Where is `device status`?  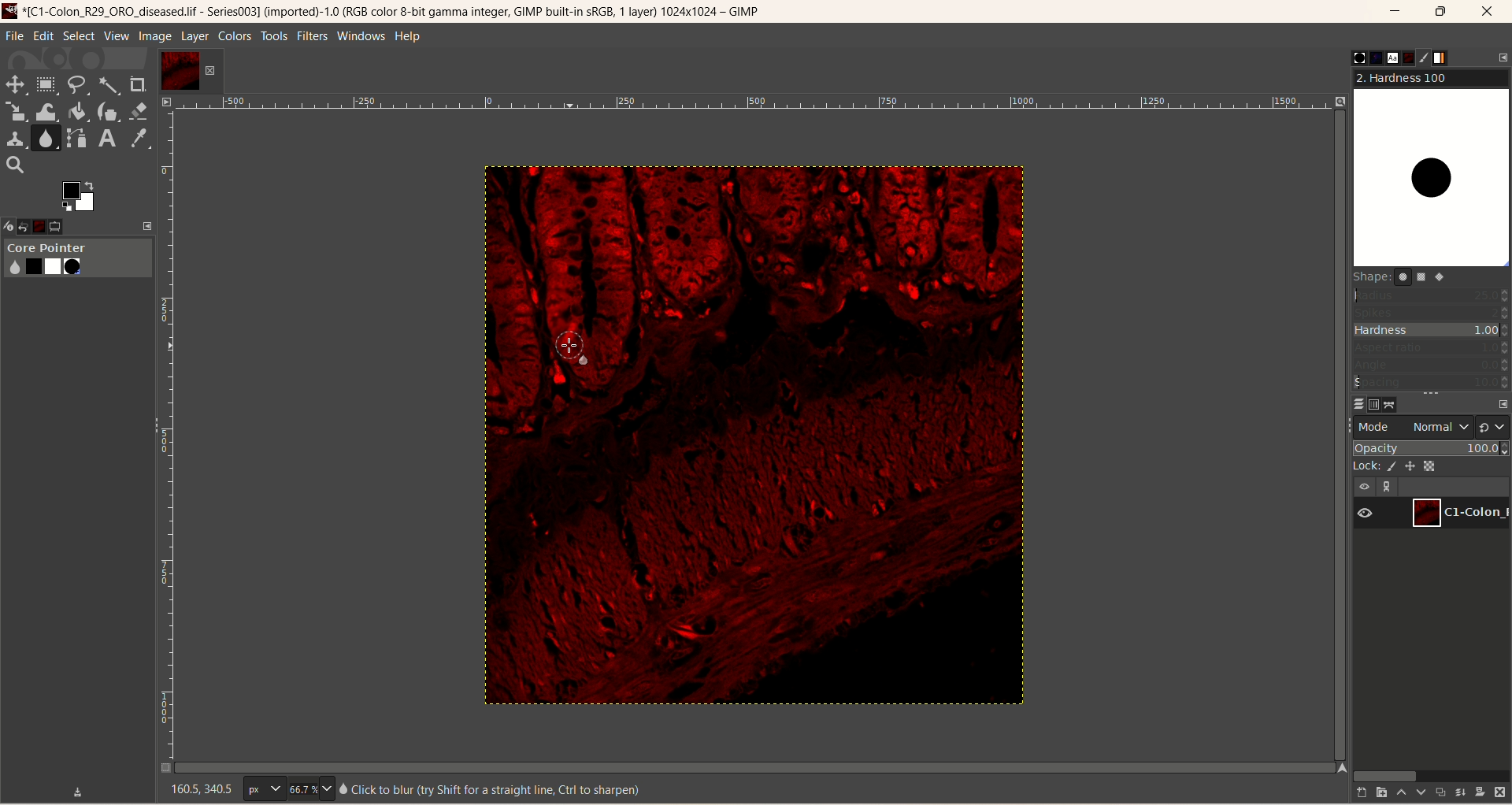 device status is located at coordinates (10, 224).